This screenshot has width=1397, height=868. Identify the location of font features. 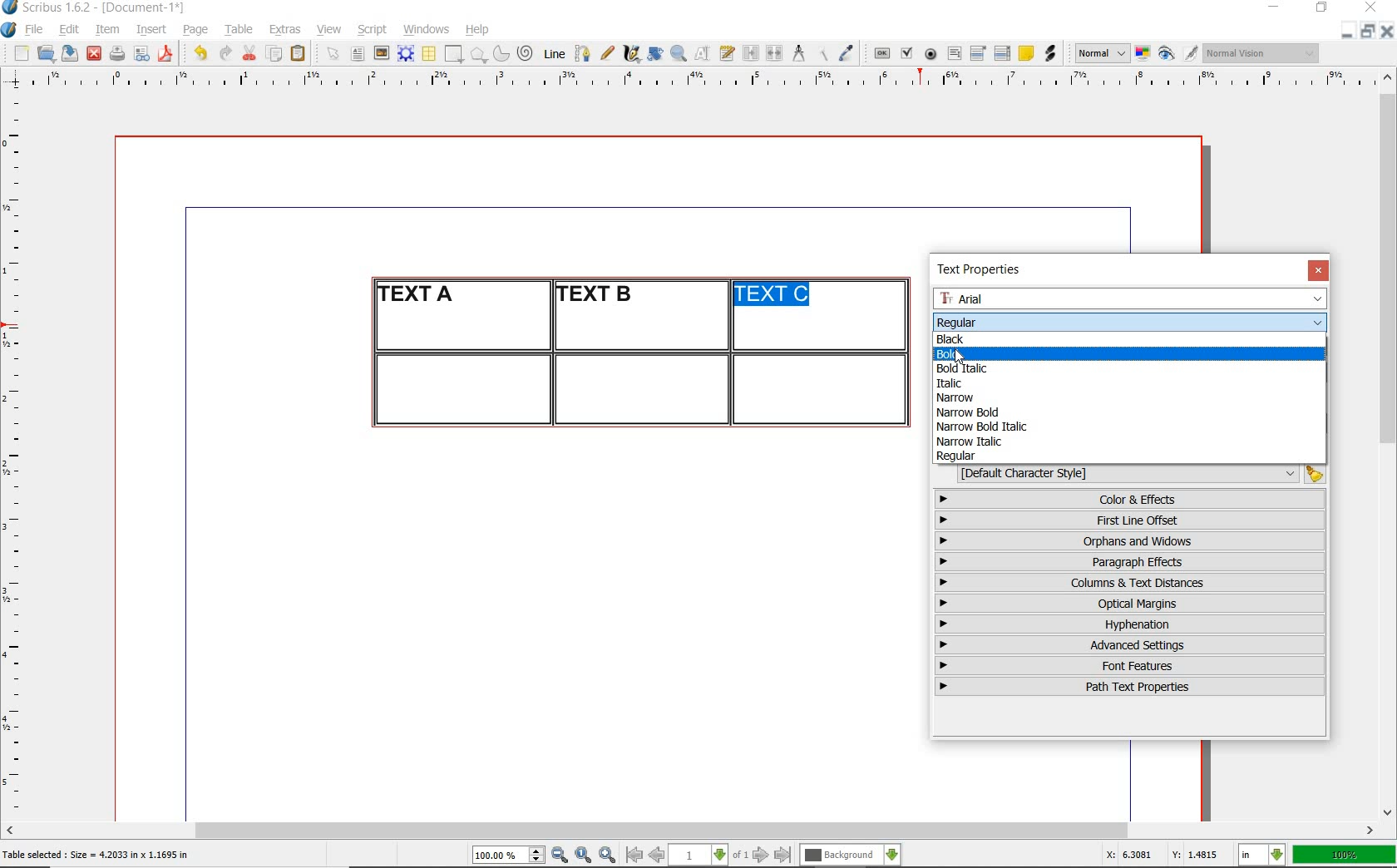
(1130, 665).